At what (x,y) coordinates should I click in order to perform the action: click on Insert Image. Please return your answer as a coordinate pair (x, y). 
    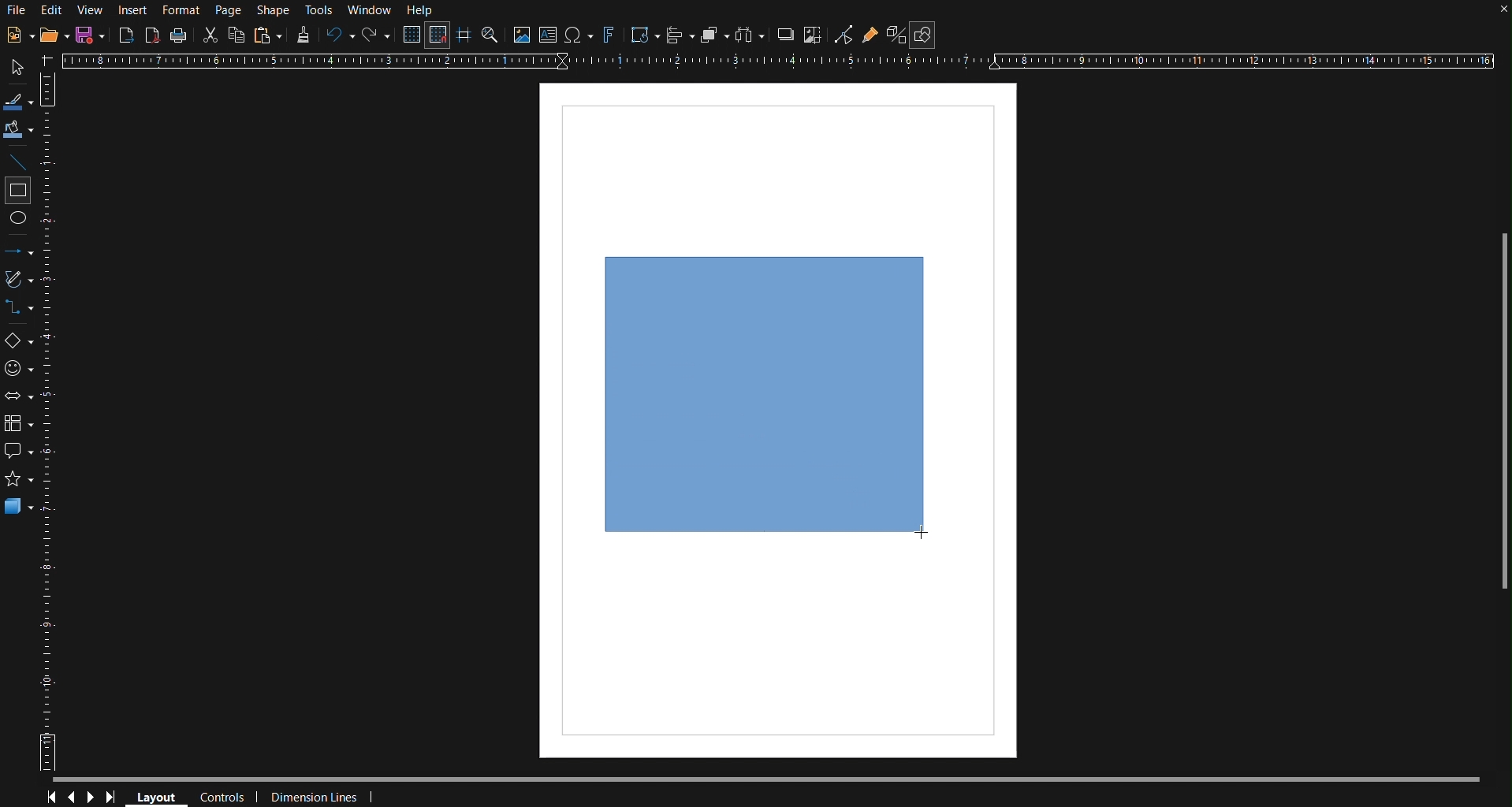
    Looking at the image, I should click on (520, 34).